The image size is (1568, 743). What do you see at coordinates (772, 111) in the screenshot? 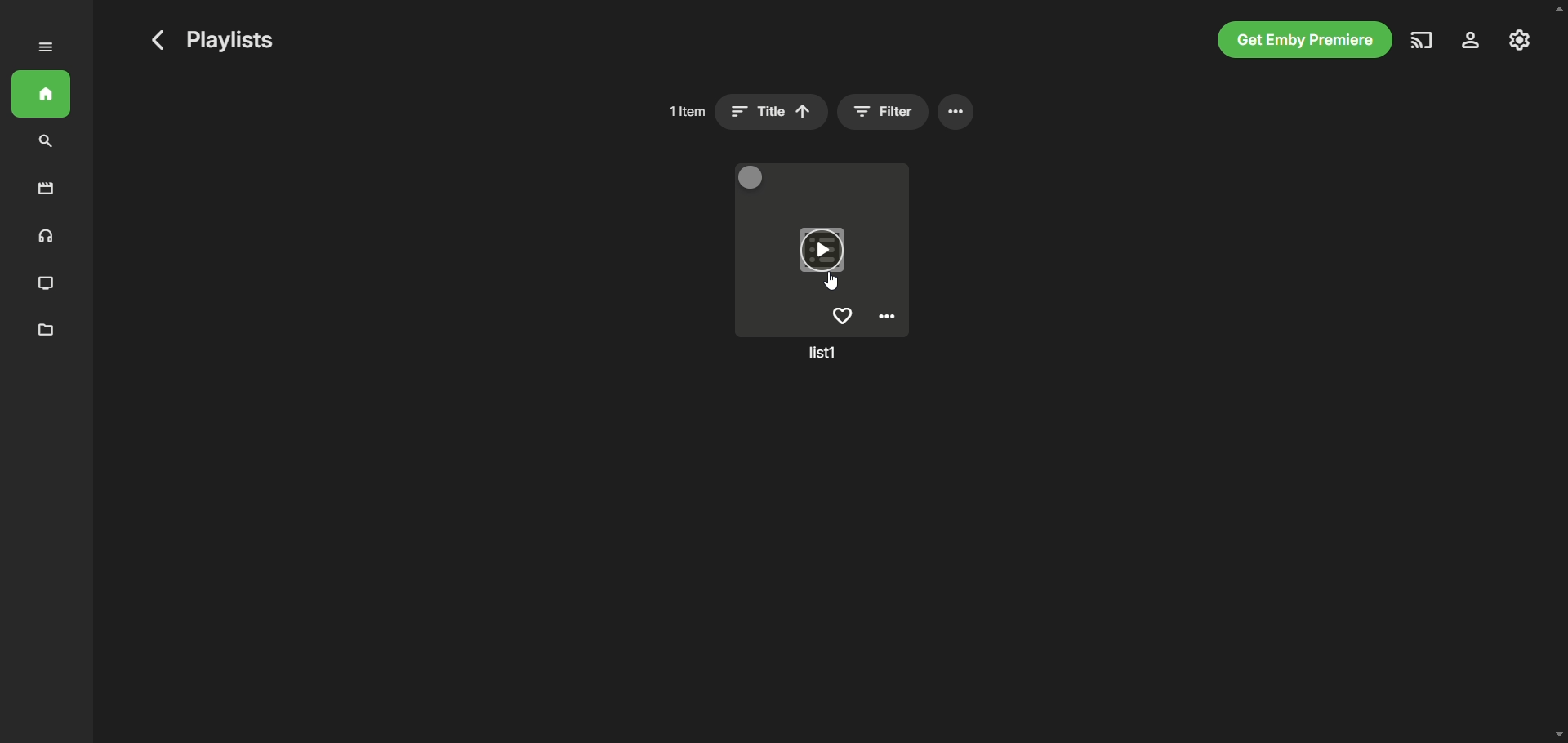
I see `title` at bounding box center [772, 111].